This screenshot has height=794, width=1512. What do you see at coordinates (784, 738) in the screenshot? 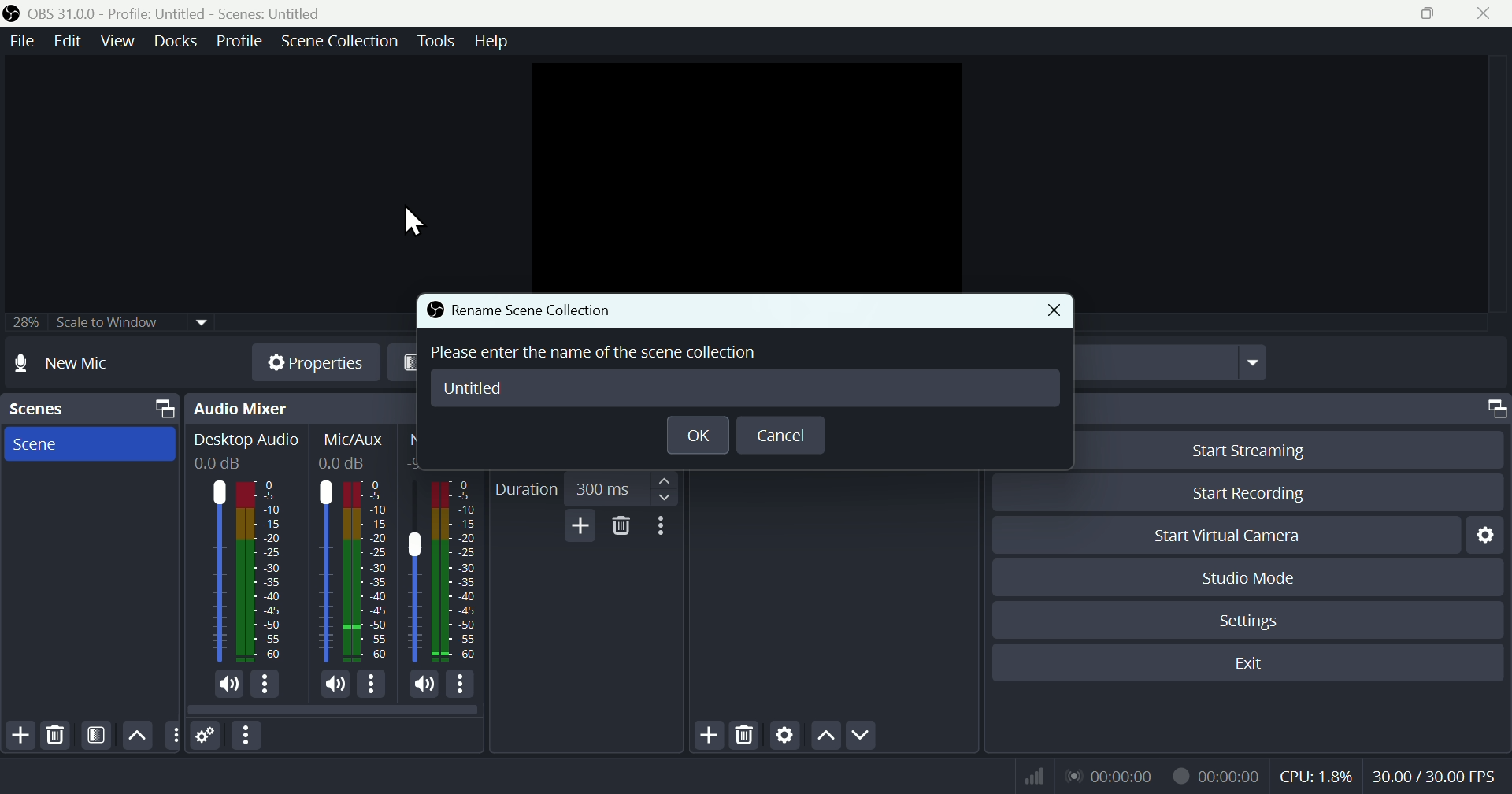
I see ` Settings` at bounding box center [784, 738].